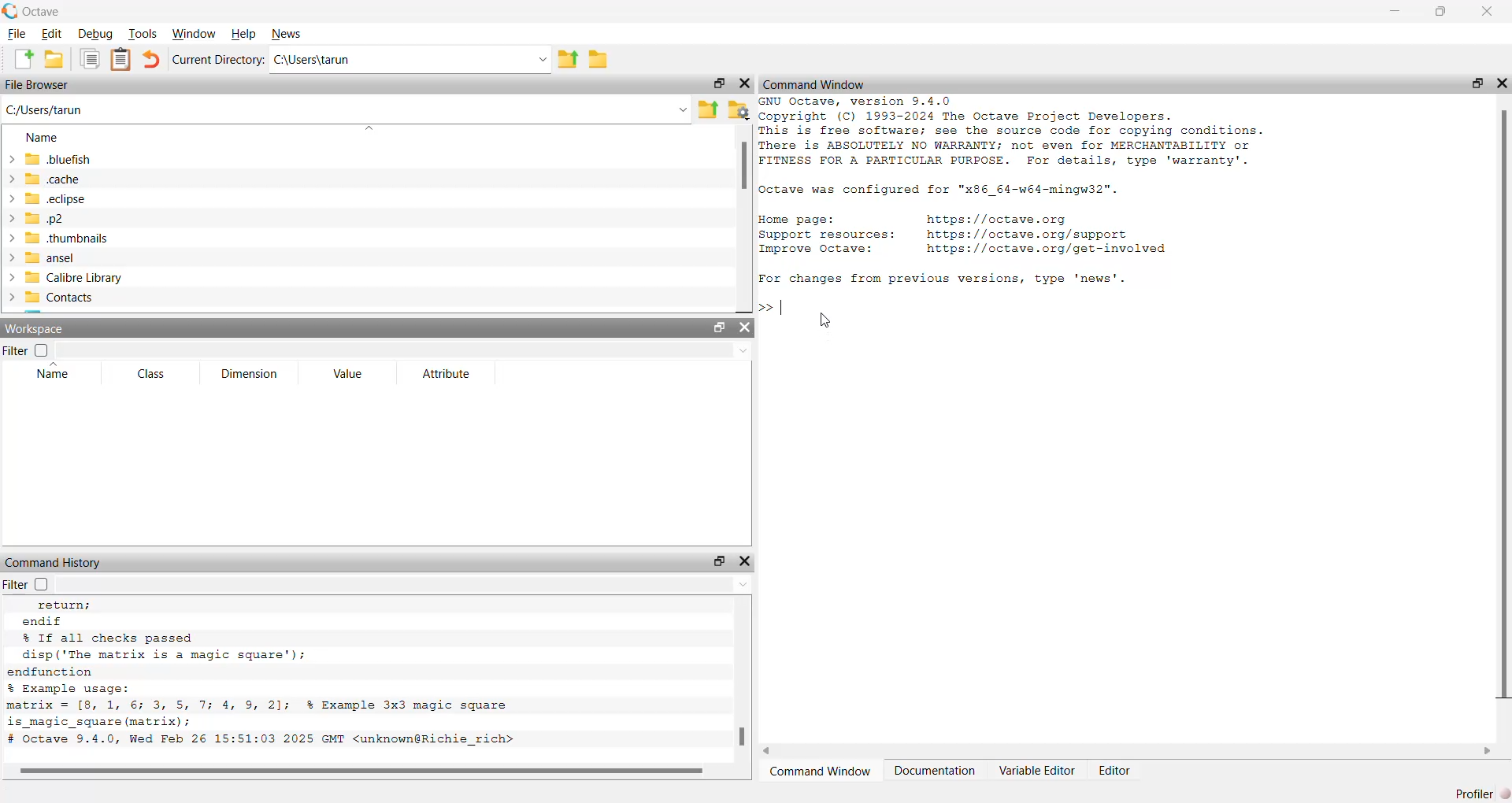 Image resolution: width=1512 pixels, height=803 pixels. Describe the element at coordinates (1503, 83) in the screenshot. I see `close` at that location.